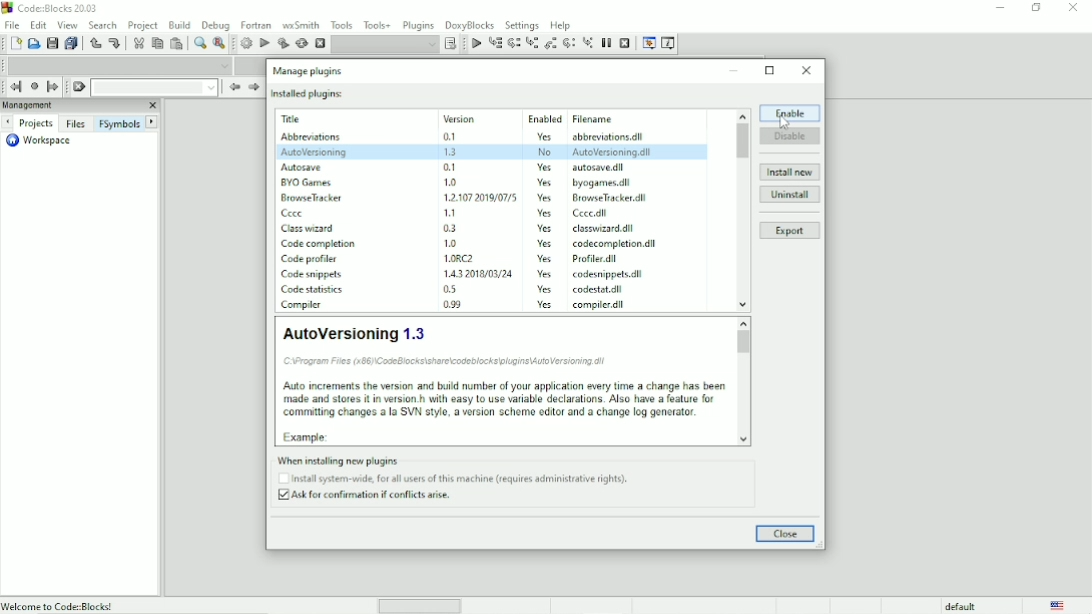 This screenshot has height=614, width=1092. Describe the element at coordinates (12, 24) in the screenshot. I see `File` at that location.